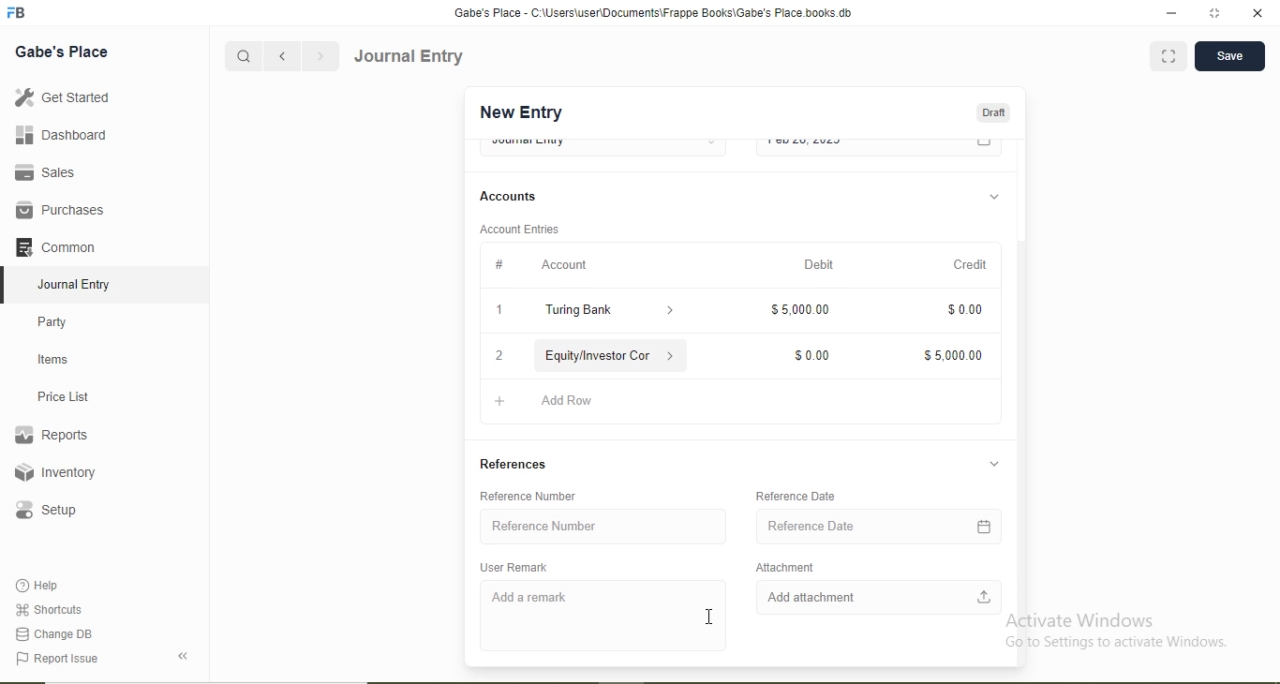  What do you see at coordinates (820, 263) in the screenshot?
I see `Debit` at bounding box center [820, 263].